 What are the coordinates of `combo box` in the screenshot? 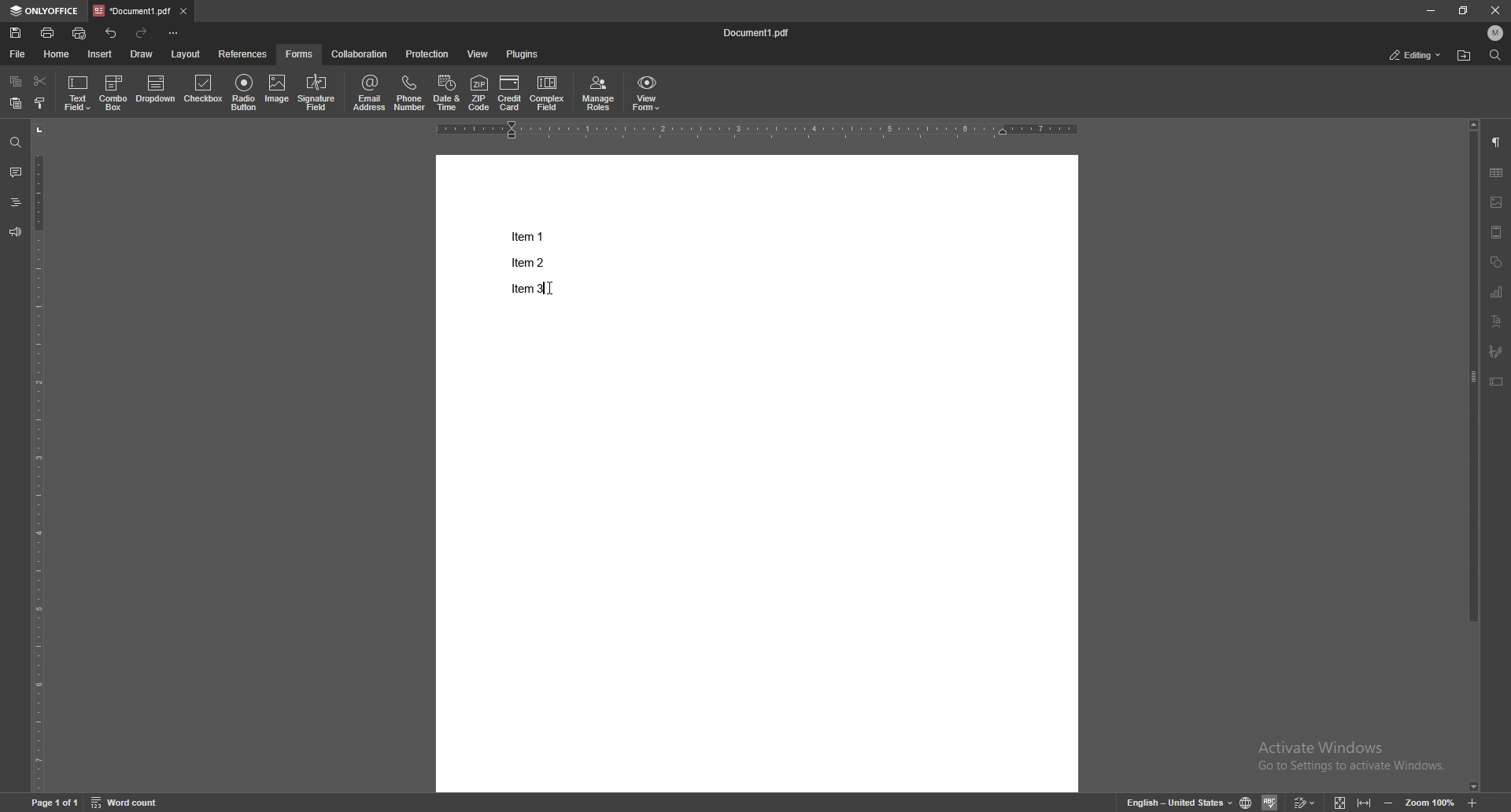 It's located at (113, 94).